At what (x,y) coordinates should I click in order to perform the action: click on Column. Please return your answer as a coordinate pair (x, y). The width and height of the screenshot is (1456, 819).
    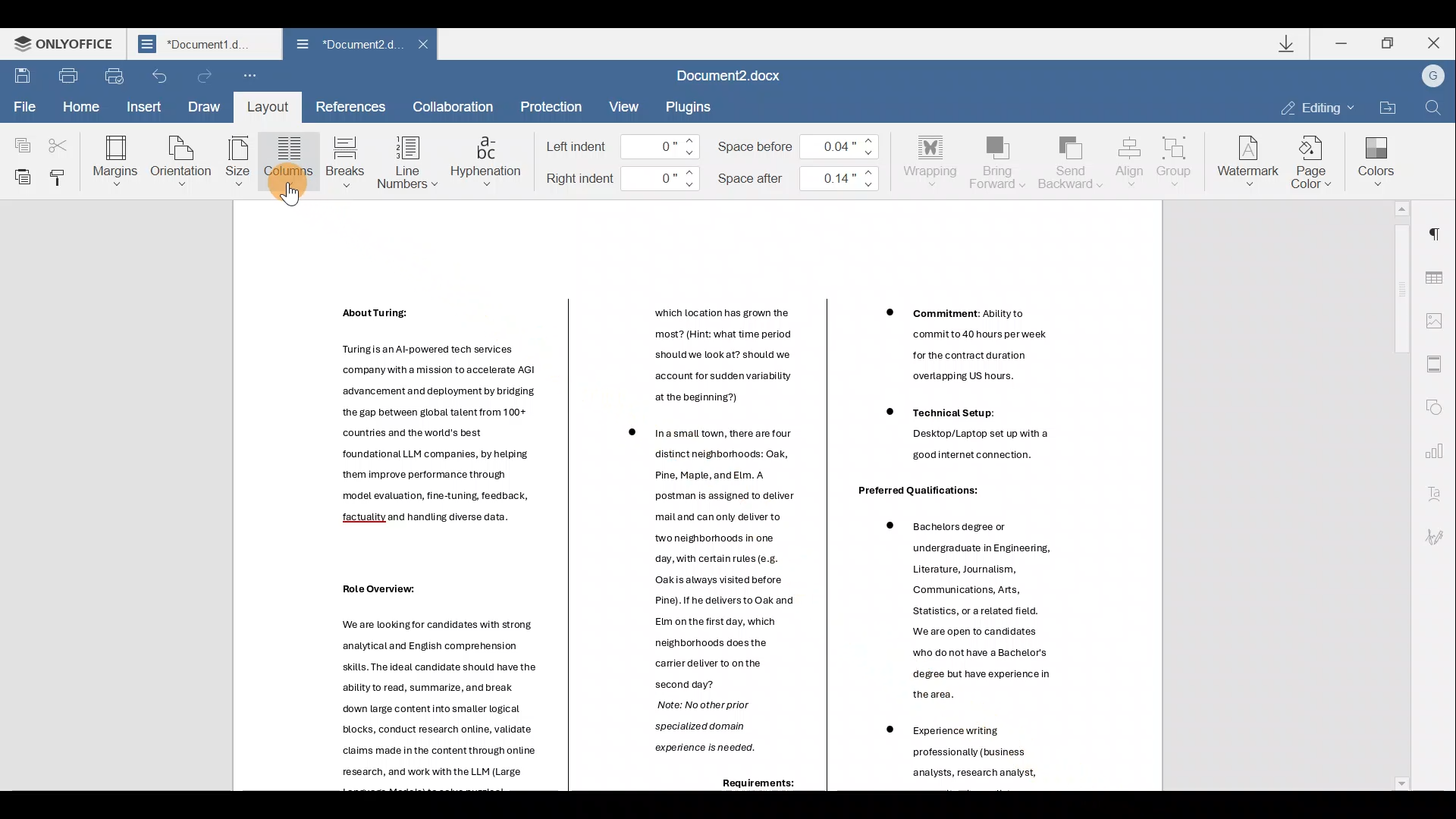
    Looking at the image, I should click on (291, 165).